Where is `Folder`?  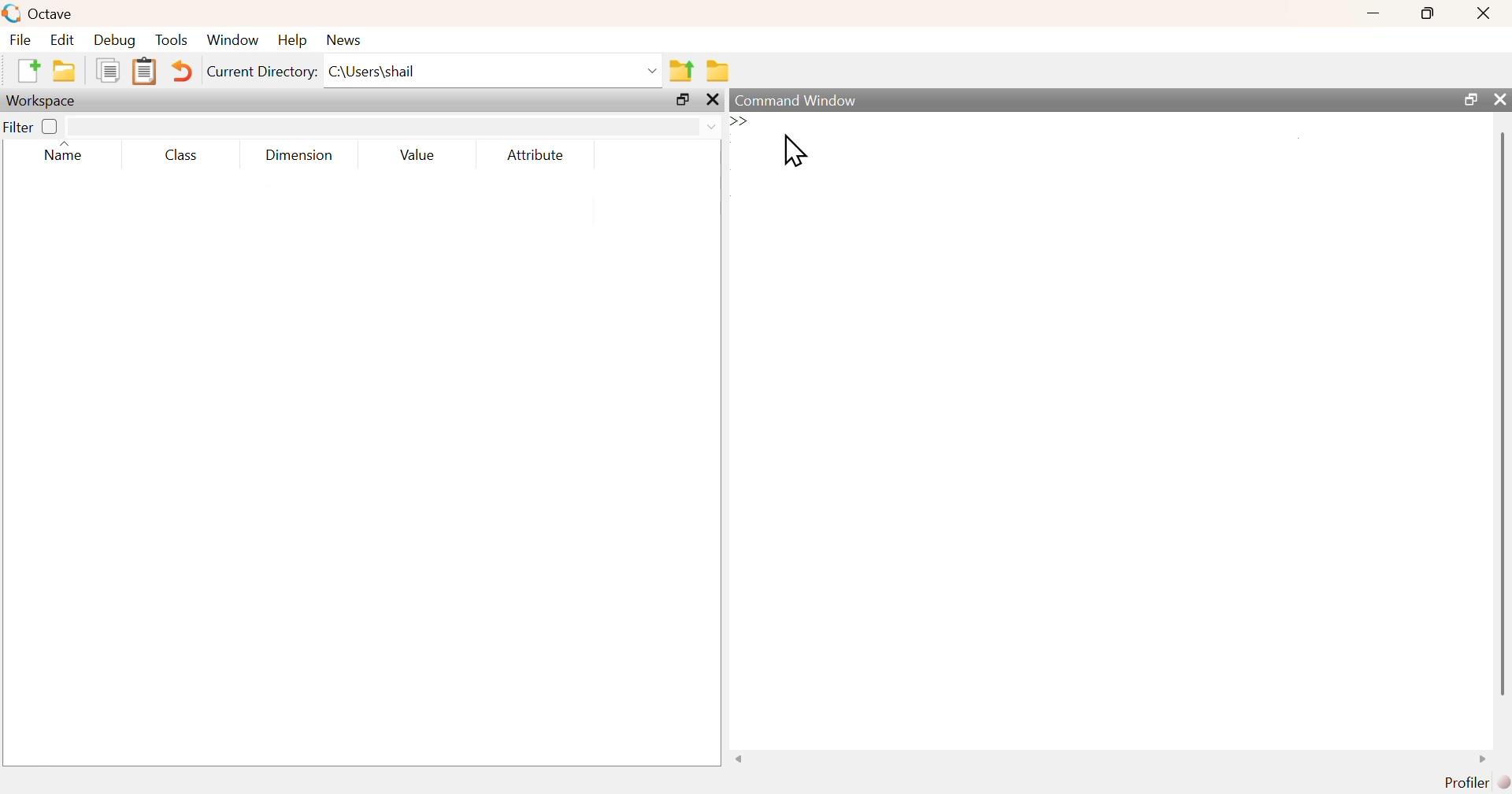 Folder is located at coordinates (717, 69).